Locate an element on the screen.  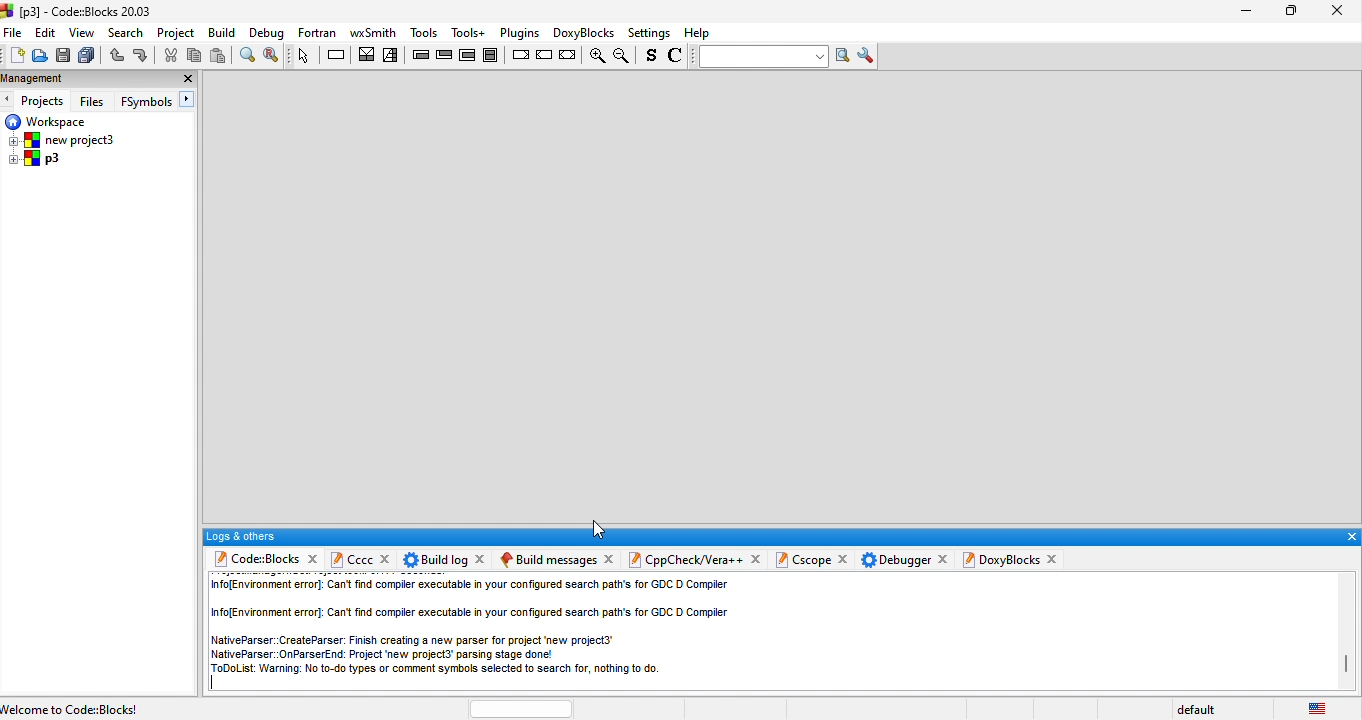
close is located at coordinates (187, 79).